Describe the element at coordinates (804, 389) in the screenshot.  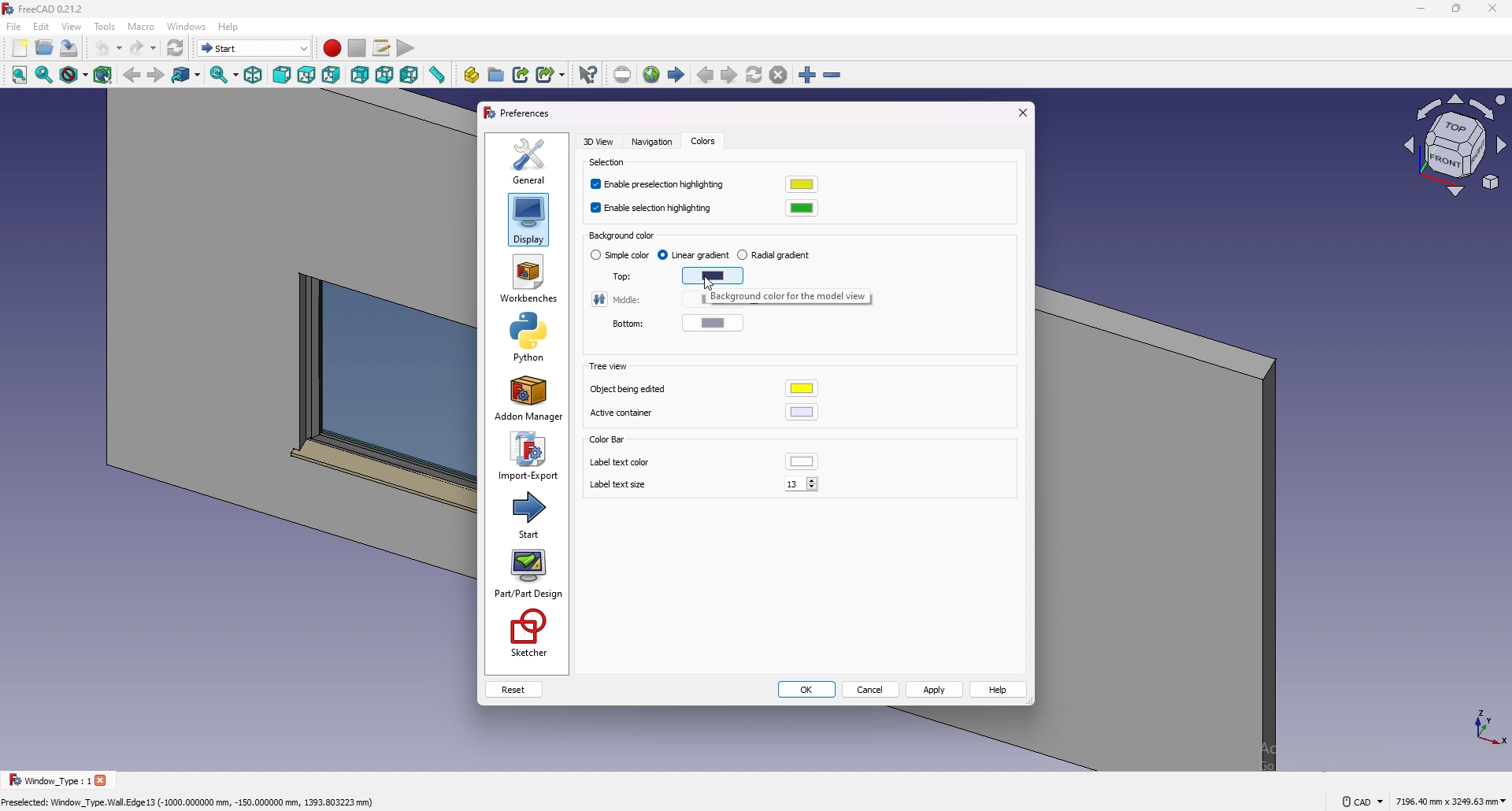
I see `object being edited color` at that location.